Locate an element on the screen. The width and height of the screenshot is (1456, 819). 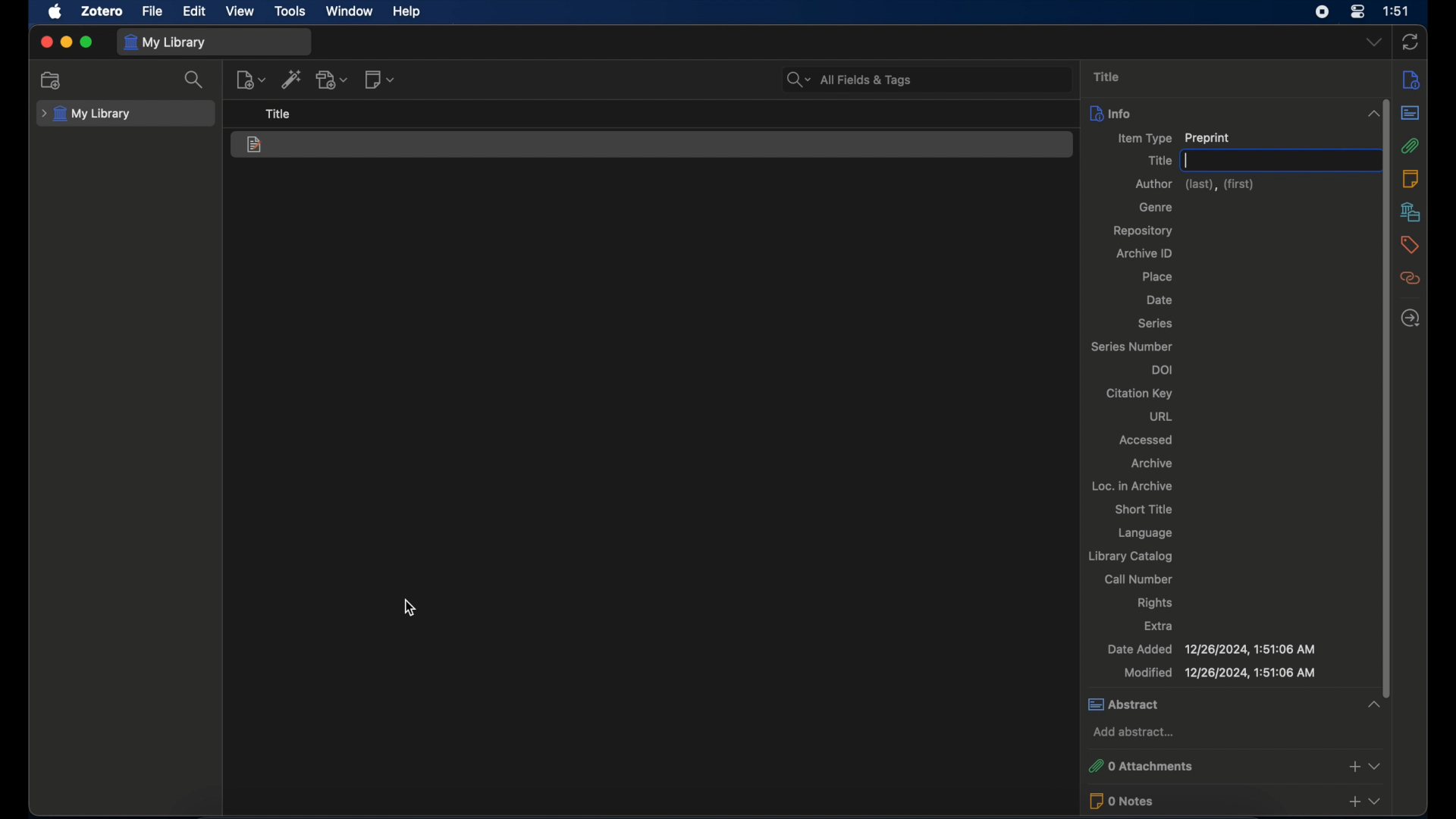
1:51 is located at coordinates (1398, 11).